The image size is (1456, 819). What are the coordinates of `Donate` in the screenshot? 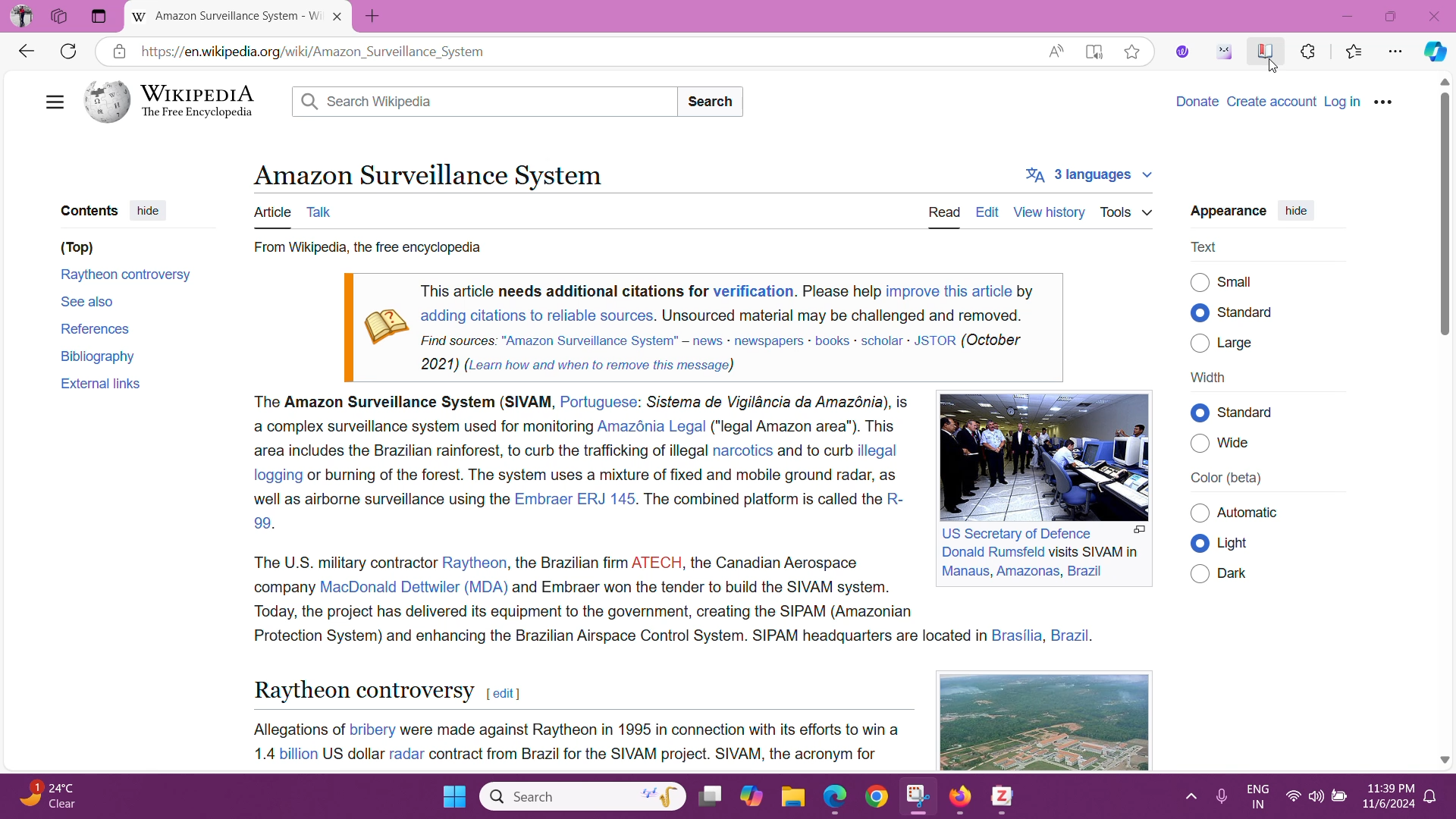 It's located at (1196, 99).